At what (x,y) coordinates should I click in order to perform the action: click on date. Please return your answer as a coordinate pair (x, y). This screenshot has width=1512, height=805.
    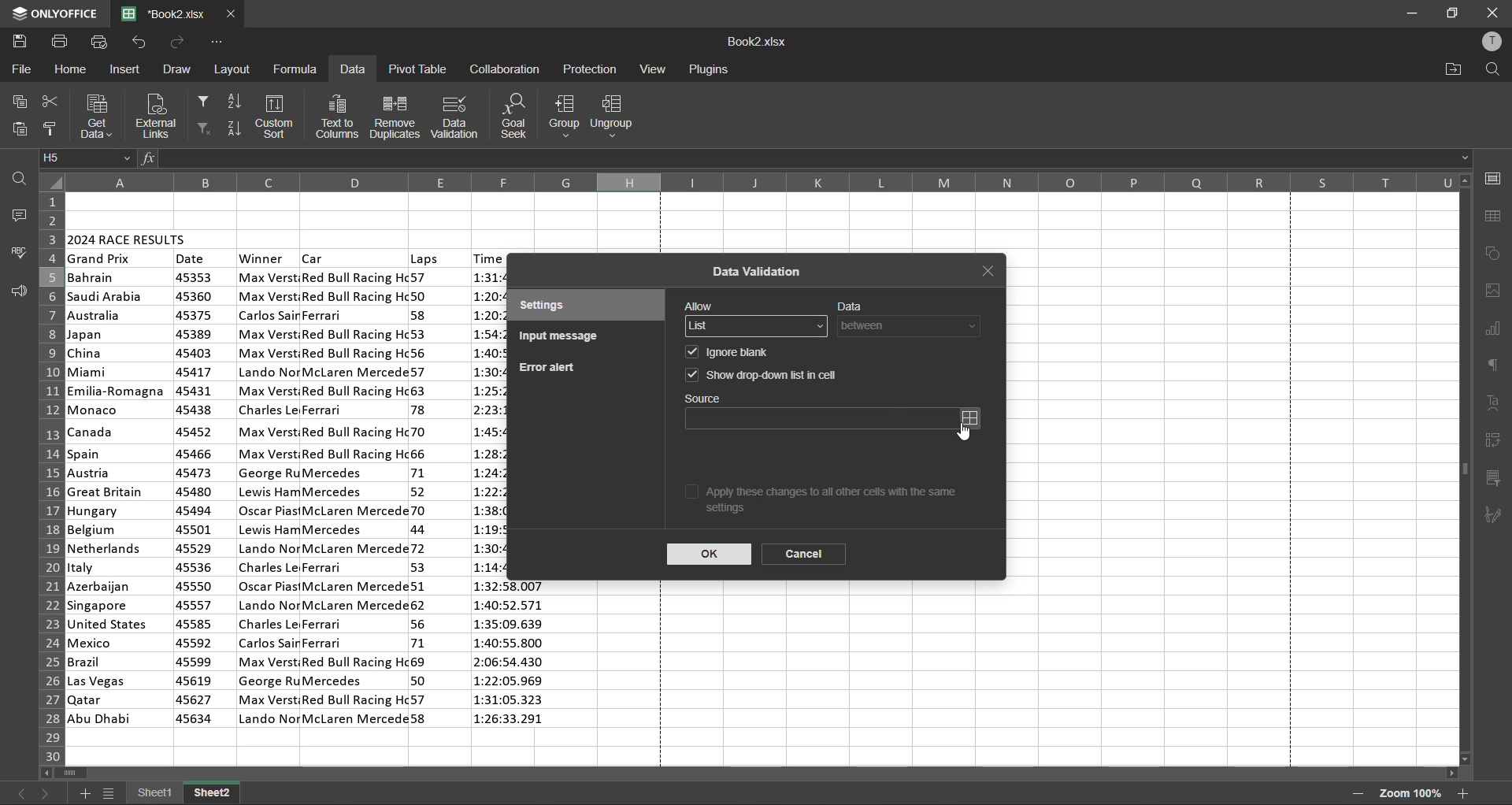
    Looking at the image, I should click on (191, 258).